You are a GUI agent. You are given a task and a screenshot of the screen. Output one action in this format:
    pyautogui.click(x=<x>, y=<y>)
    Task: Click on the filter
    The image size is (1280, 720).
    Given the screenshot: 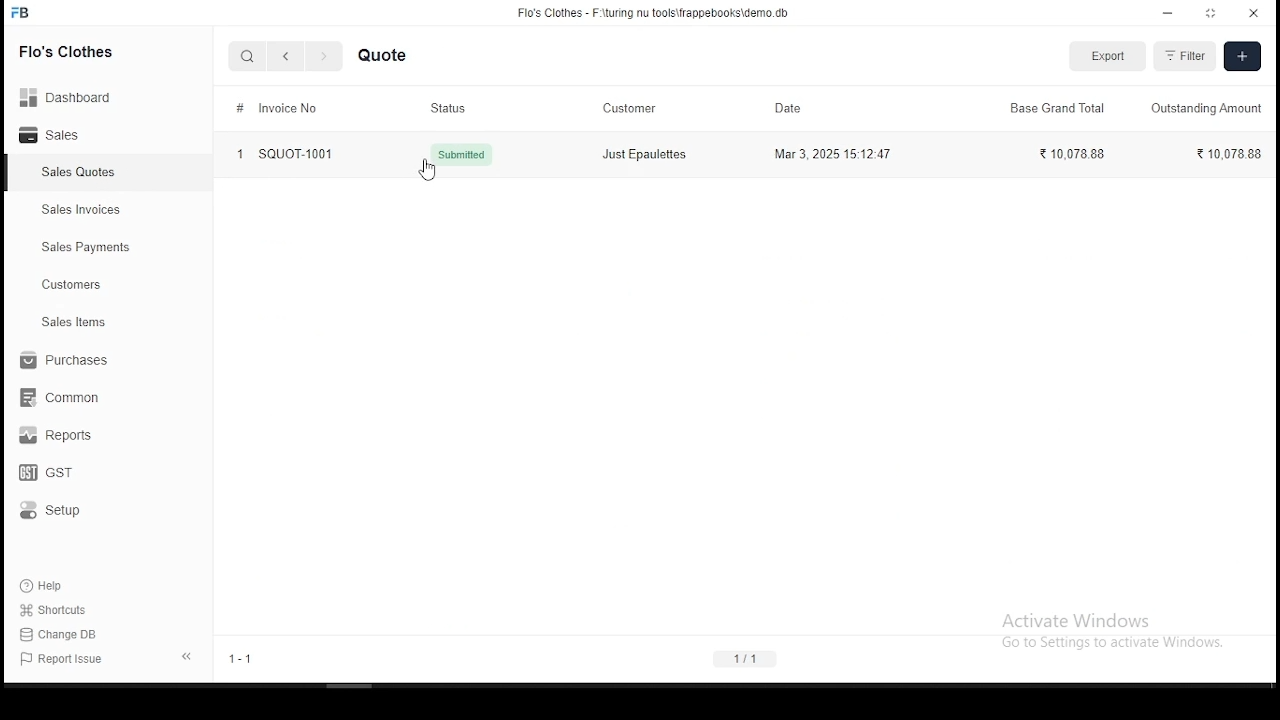 What is the action you would take?
    pyautogui.click(x=1208, y=56)
    